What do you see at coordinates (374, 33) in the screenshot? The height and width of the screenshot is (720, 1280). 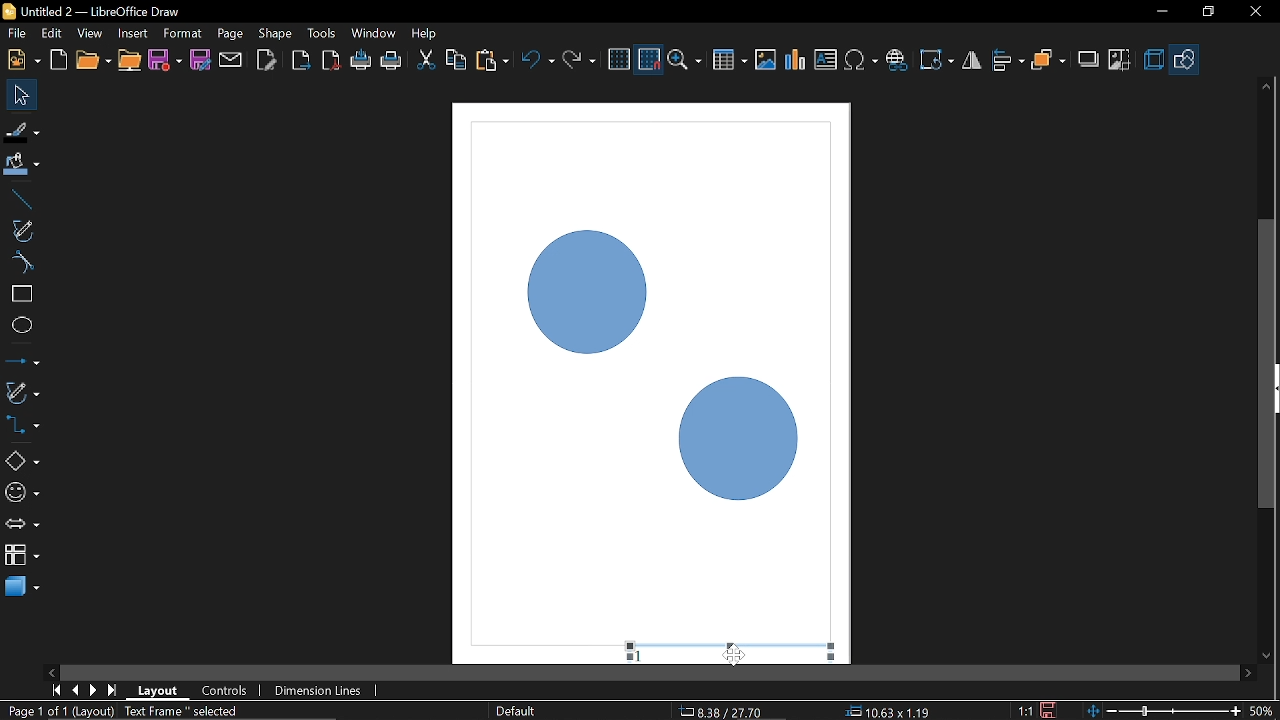 I see `WIndow` at bounding box center [374, 33].